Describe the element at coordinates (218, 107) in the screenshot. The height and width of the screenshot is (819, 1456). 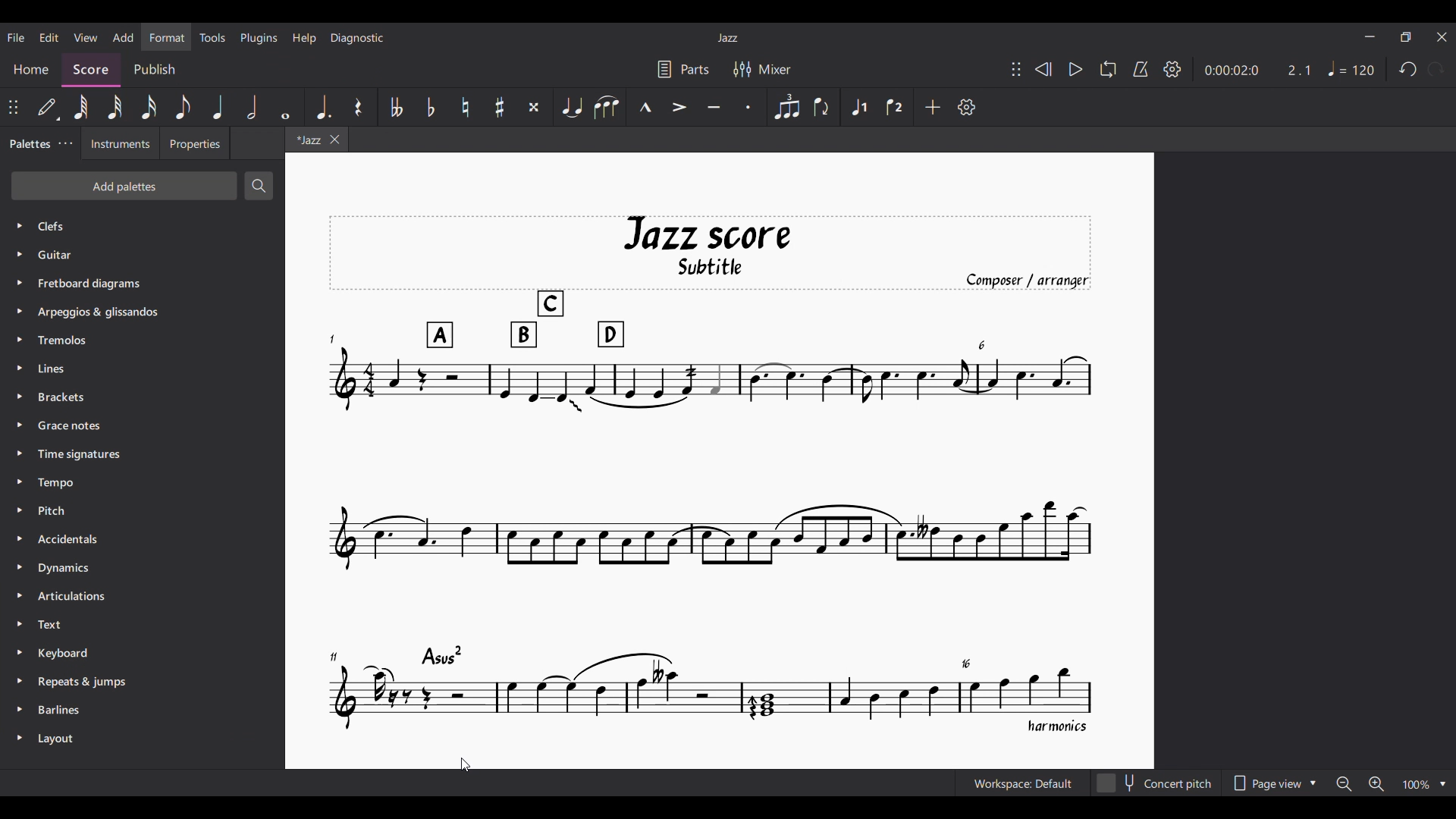
I see `Quarter note` at that location.